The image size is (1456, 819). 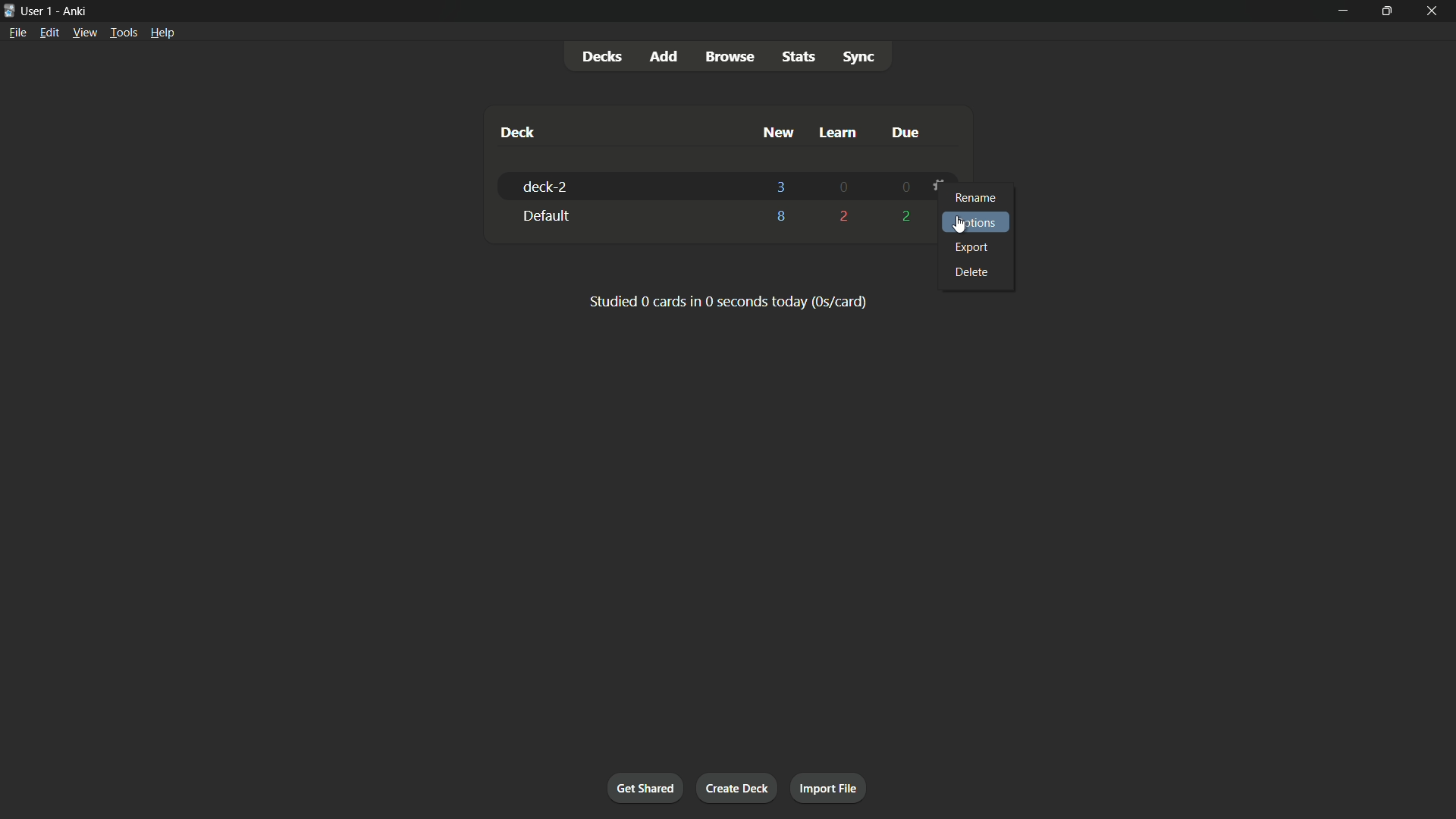 I want to click on export, so click(x=972, y=248).